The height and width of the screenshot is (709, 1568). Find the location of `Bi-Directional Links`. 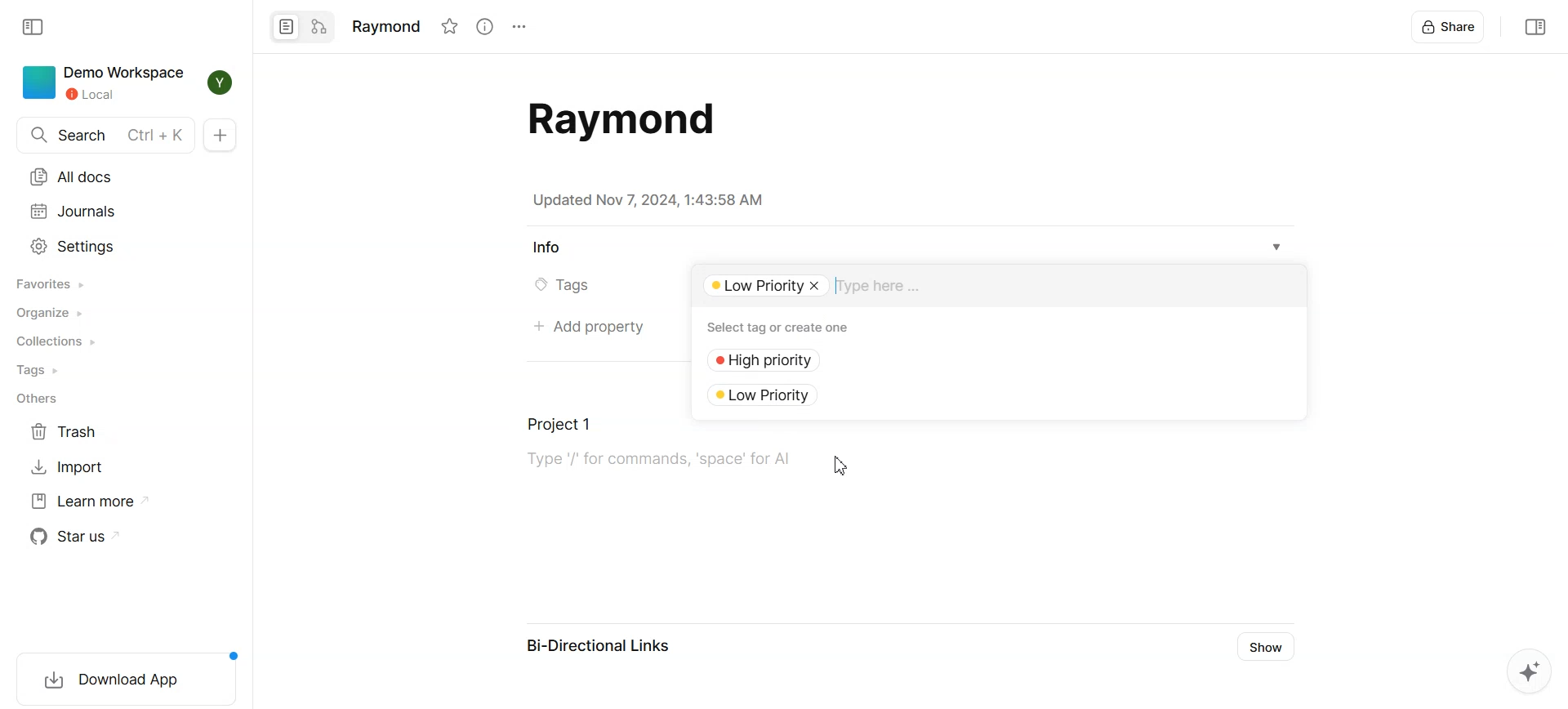

Bi-Directional Links is located at coordinates (599, 649).